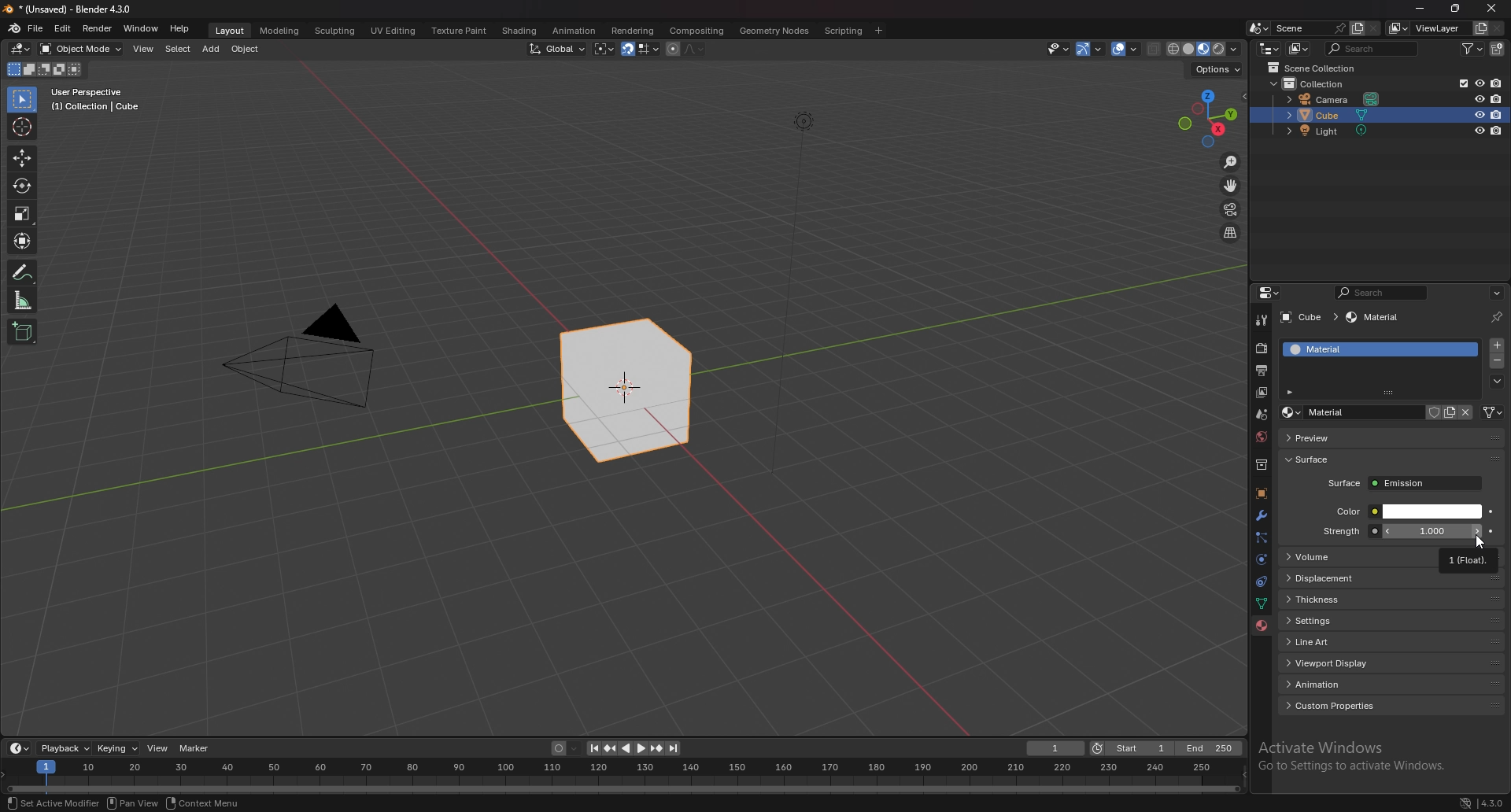  I want to click on , so click(1491, 801).